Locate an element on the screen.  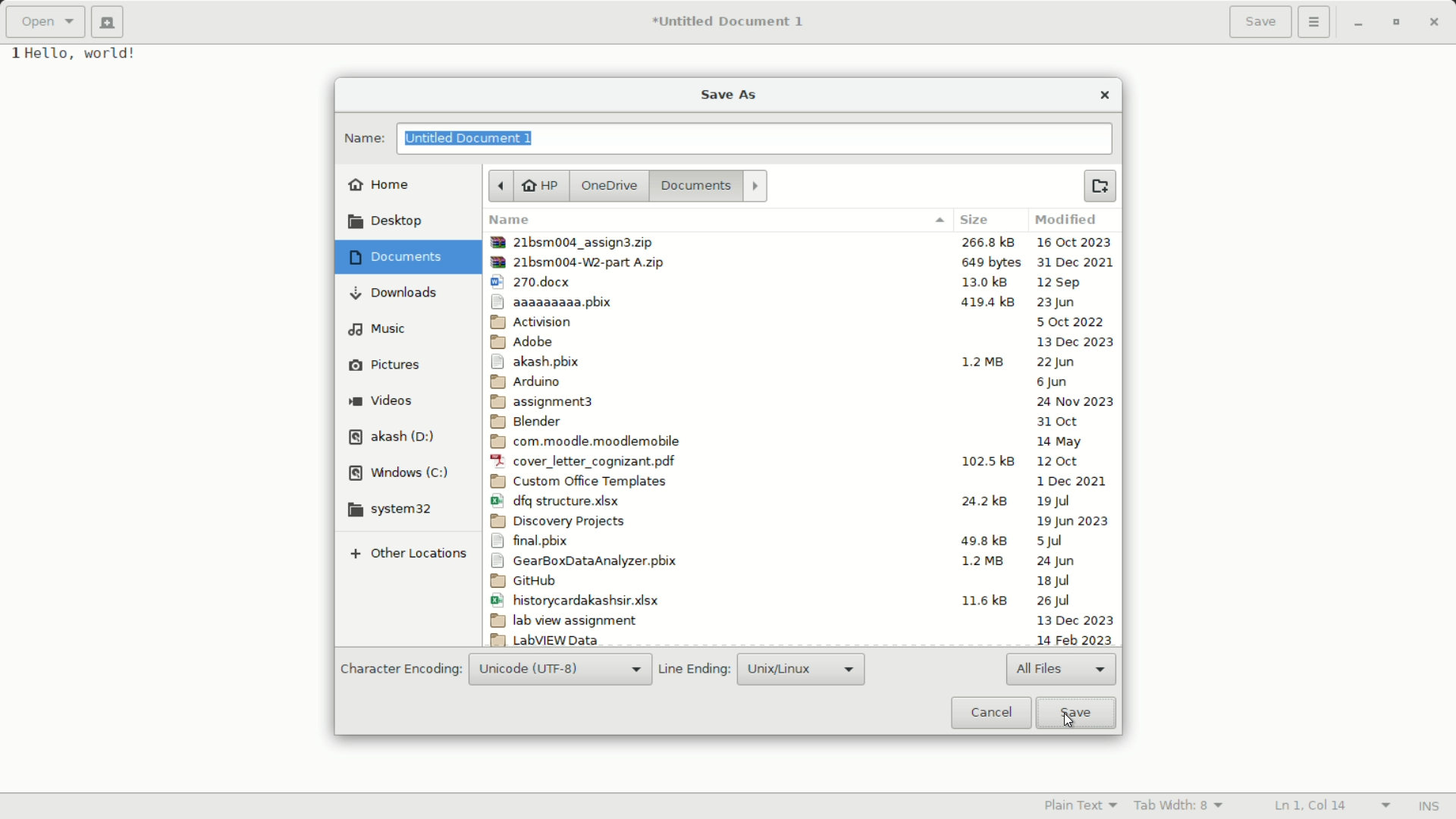
Move back is located at coordinates (500, 187).